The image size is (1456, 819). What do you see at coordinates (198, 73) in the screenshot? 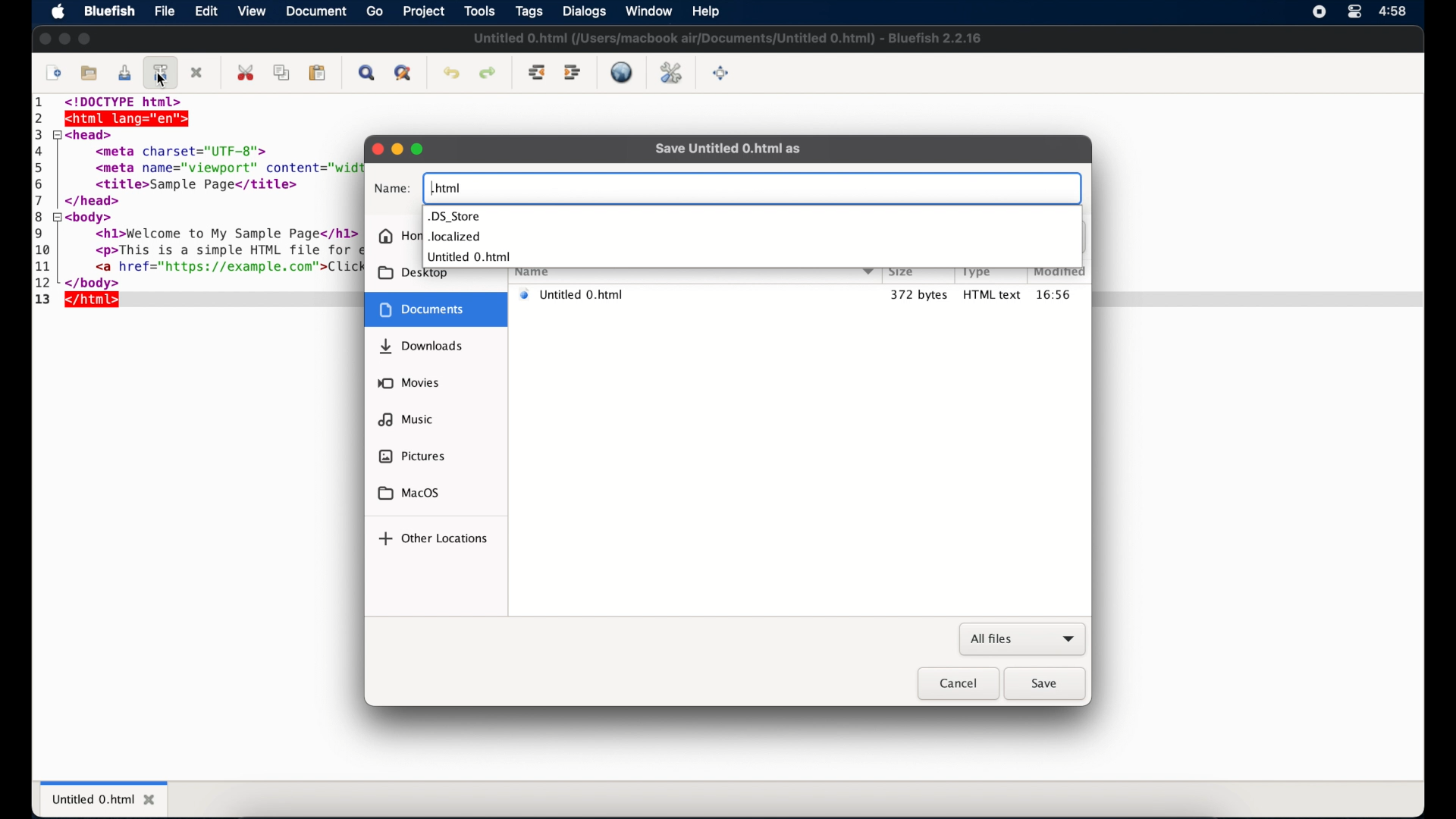
I see `close` at bounding box center [198, 73].